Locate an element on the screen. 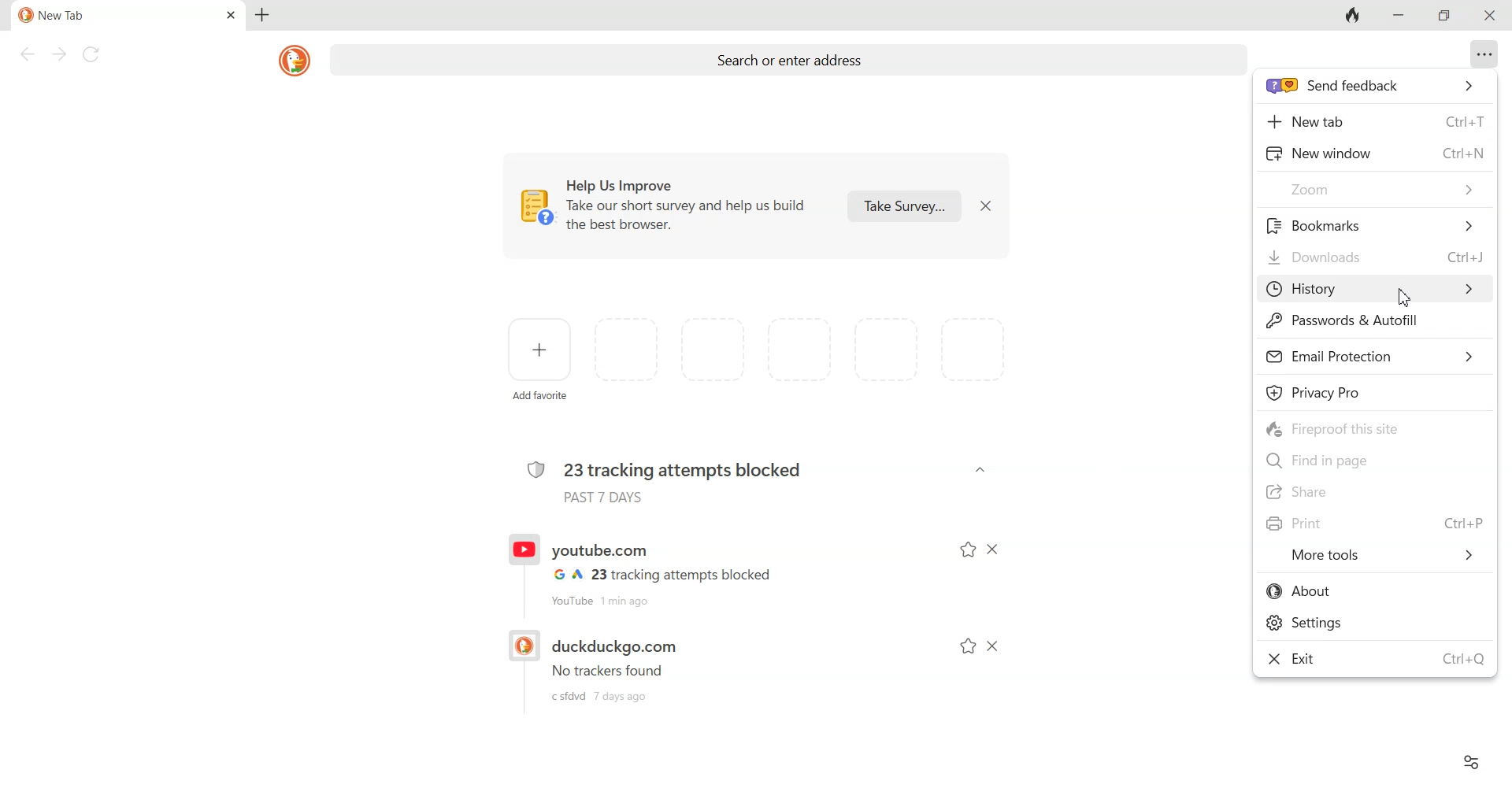 Image resolution: width=1512 pixels, height=803 pixels. Print is located at coordinates (1376, 523).